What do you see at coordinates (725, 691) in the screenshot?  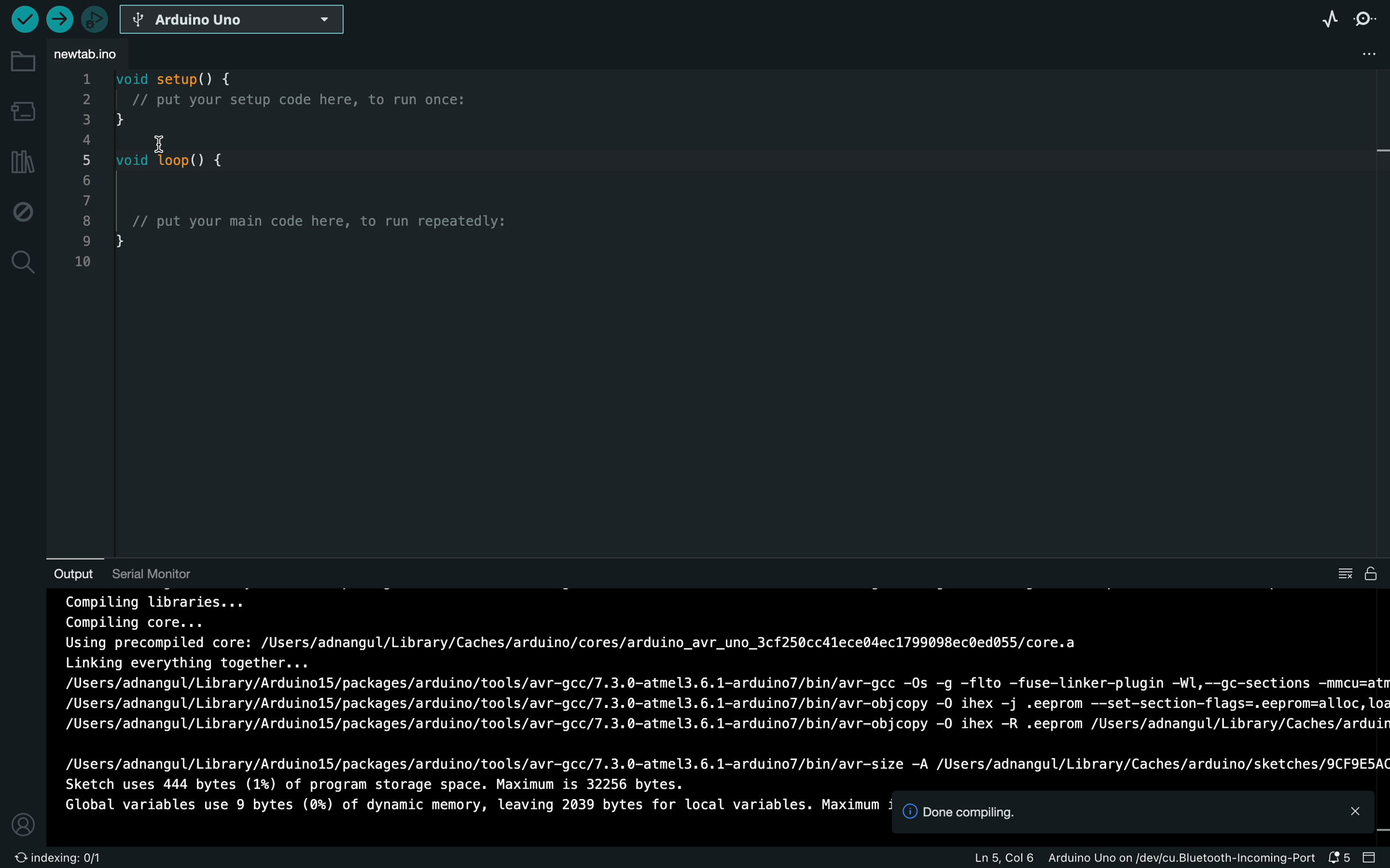 I see `compiling process` at bounding box center [725, 691].